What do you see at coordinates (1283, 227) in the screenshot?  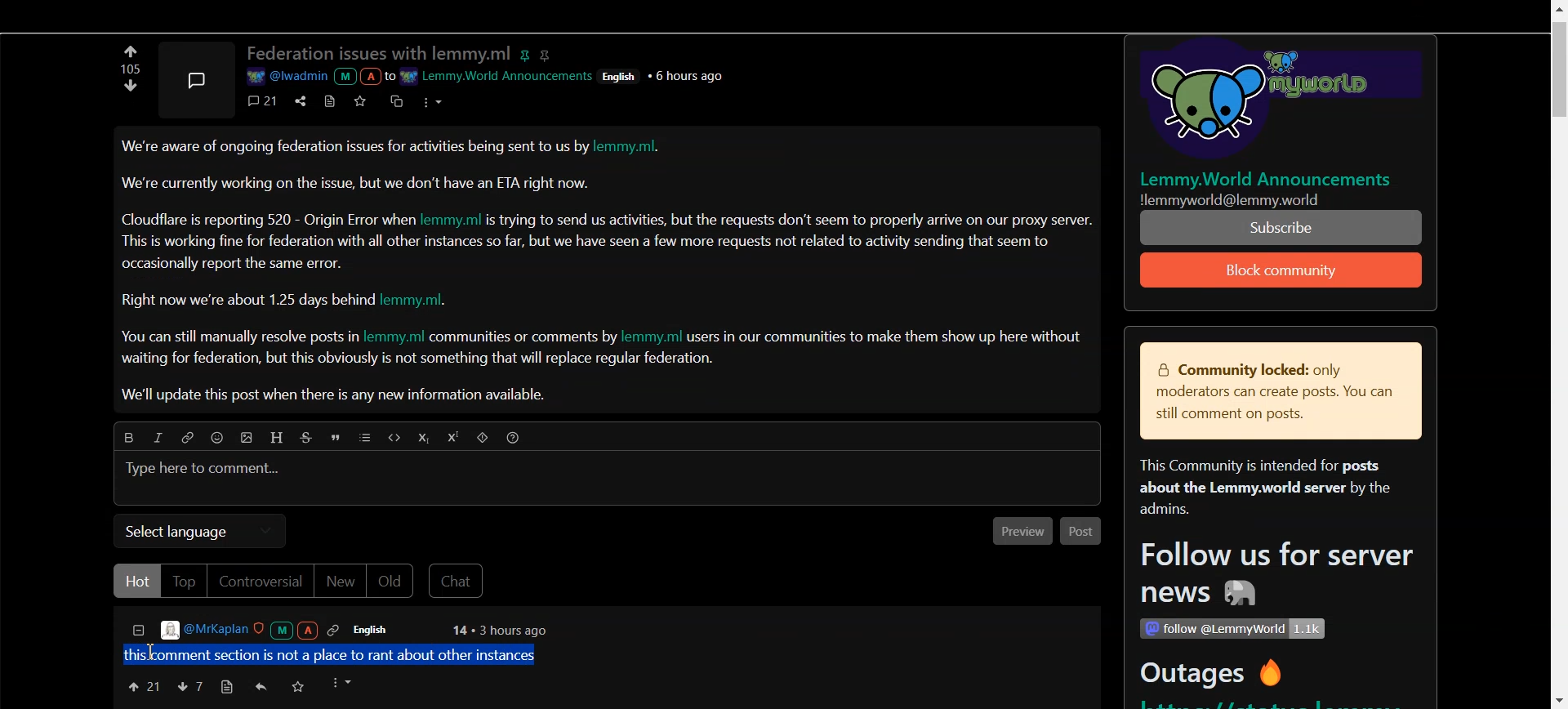 I see `properly arrive on our proxy server.
PE TEI SON TE WT` at bounding box center [1283, 227].